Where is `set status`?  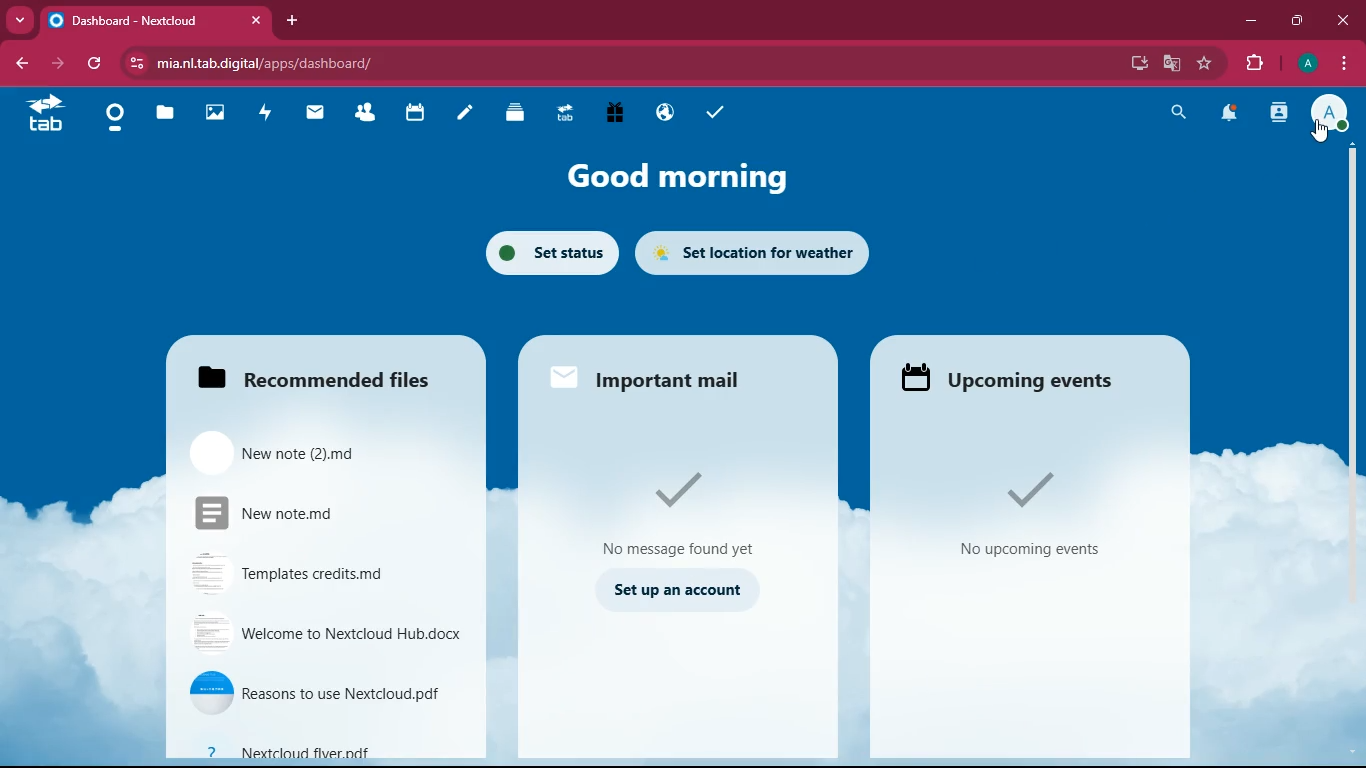 set status is located at coordinates (551, 254).